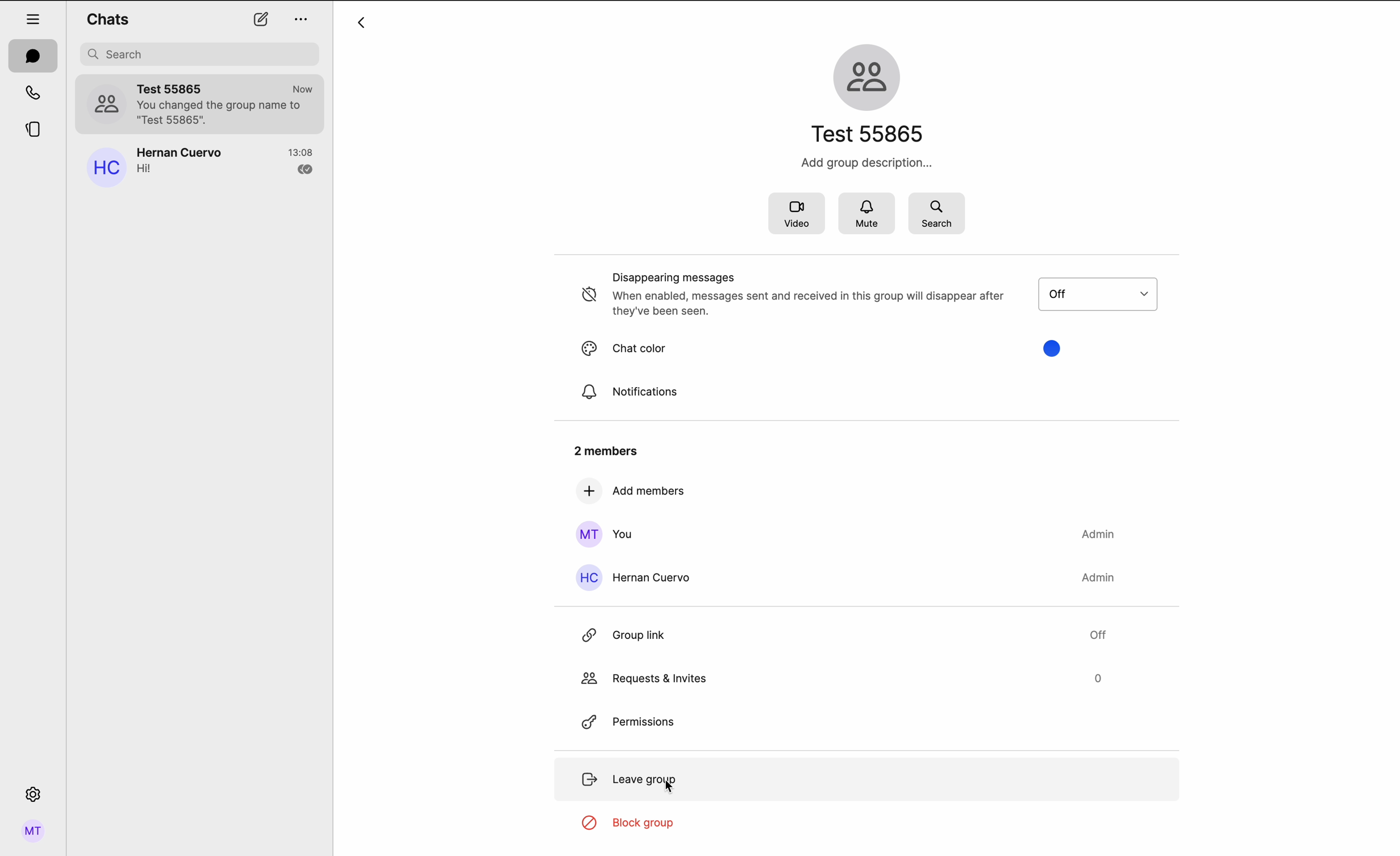 The width and height of the screenshot is (1400, 856). Describe the element at coordinates (35, 832) in the screenshot. I see `profile` at that location.